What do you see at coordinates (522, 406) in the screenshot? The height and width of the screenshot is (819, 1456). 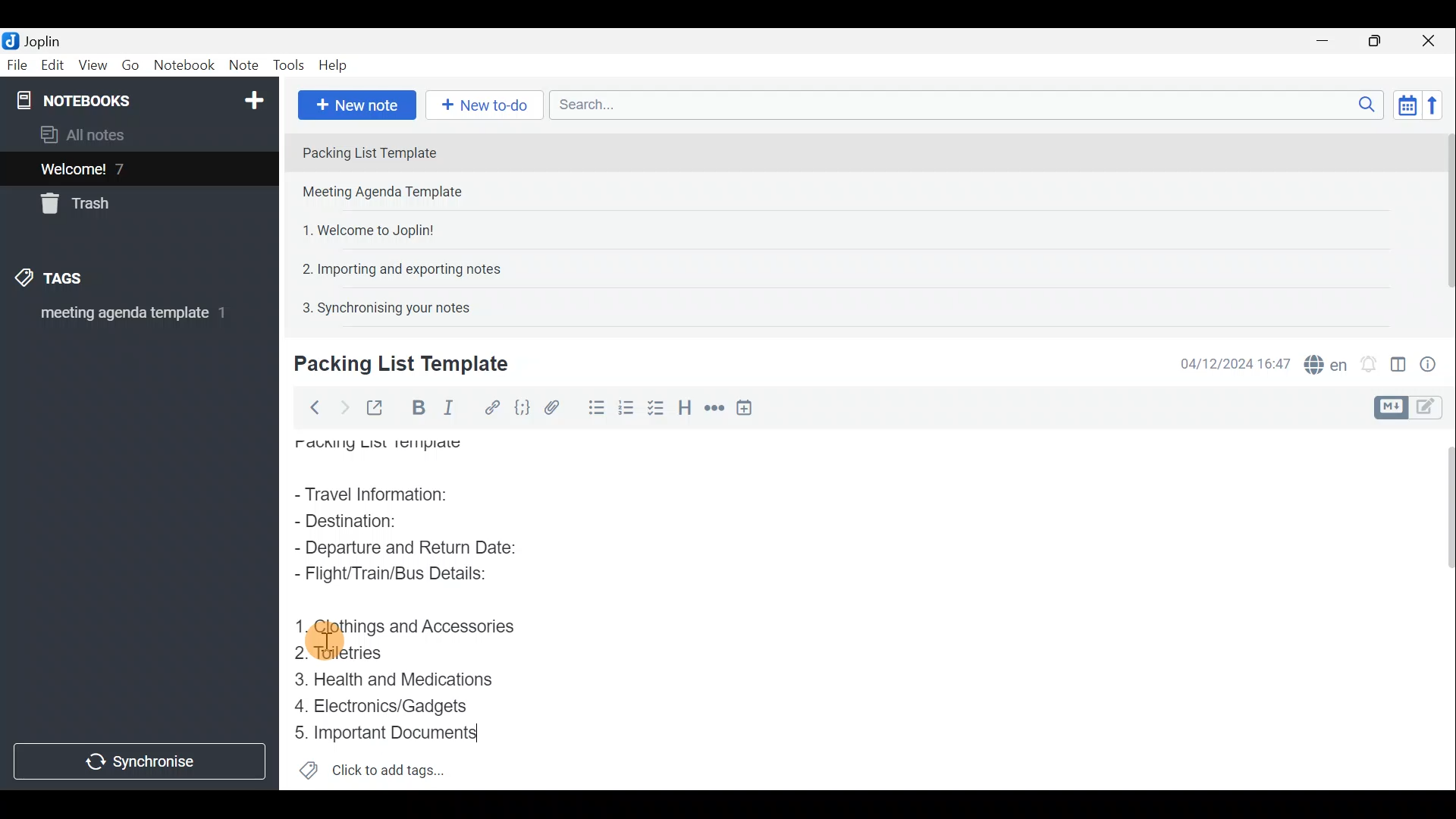 I see `Code` at bounding box center [522, 406].